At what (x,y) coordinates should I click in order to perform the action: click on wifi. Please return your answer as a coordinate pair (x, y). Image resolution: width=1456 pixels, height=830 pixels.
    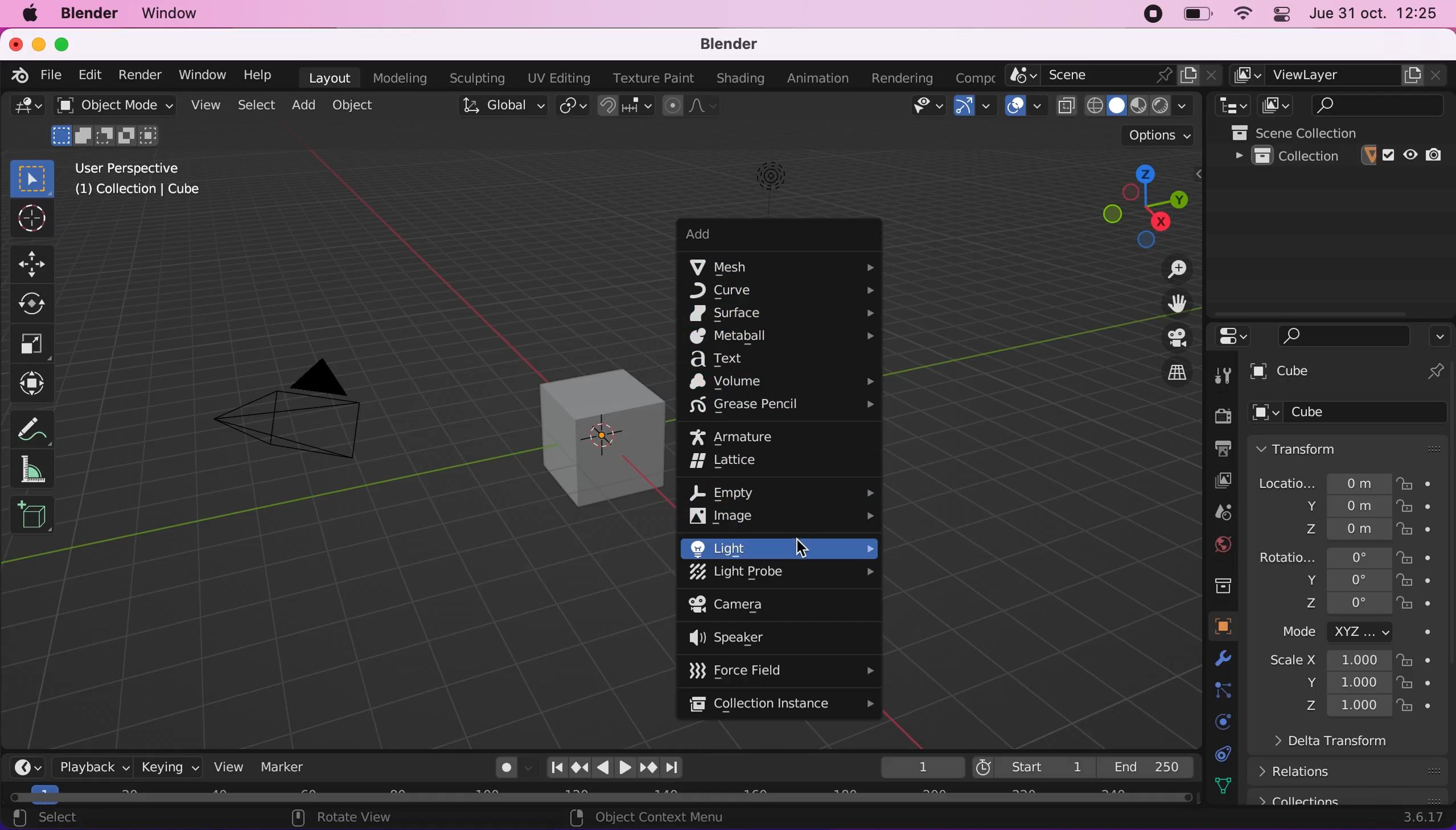
    Looking at the image, I should click on (1241, 14).